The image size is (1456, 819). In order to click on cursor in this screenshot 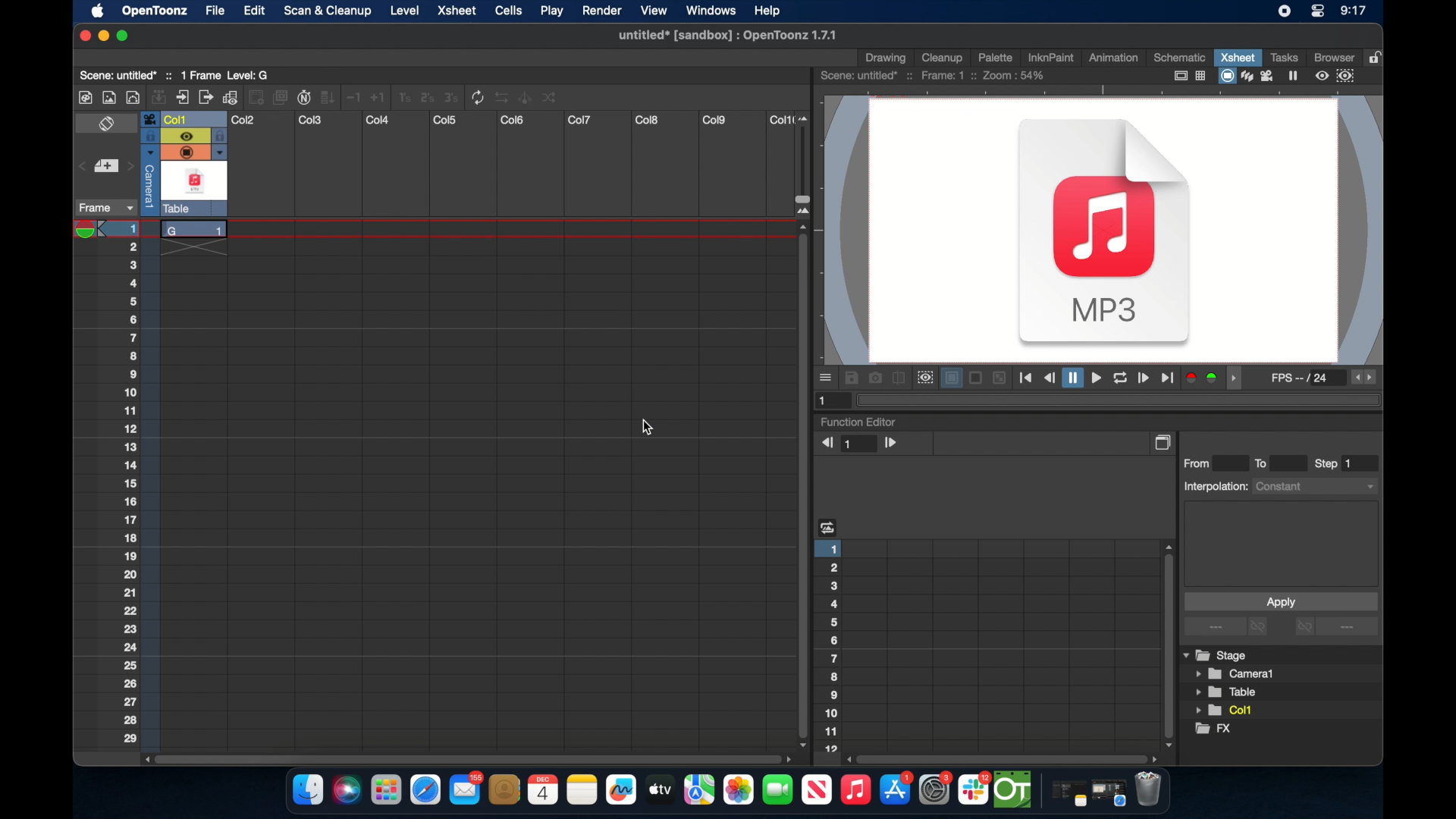, I will do `click(649, 428)`.